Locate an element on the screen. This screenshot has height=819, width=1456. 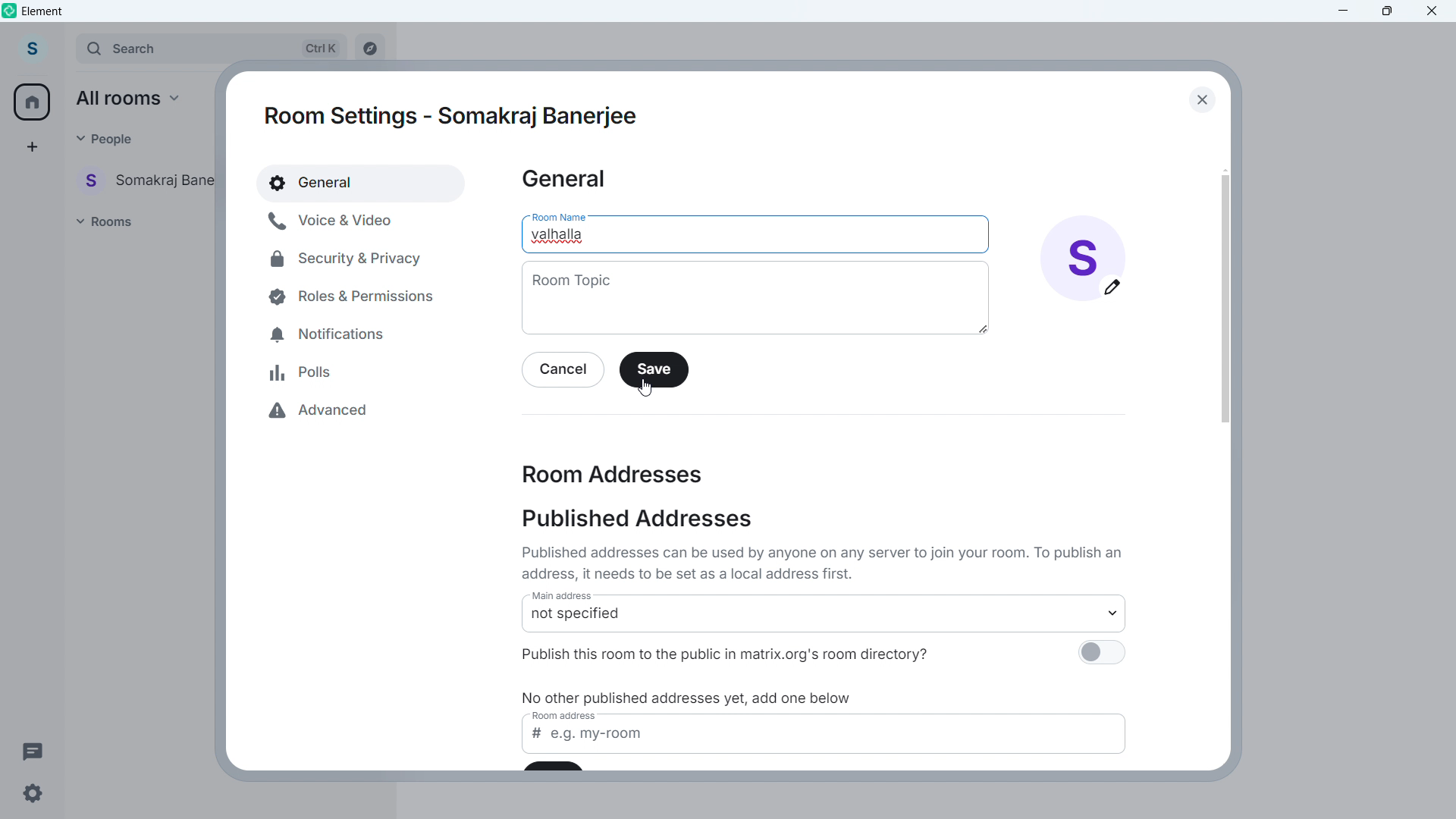
account  is located at coordinates (35, 47).